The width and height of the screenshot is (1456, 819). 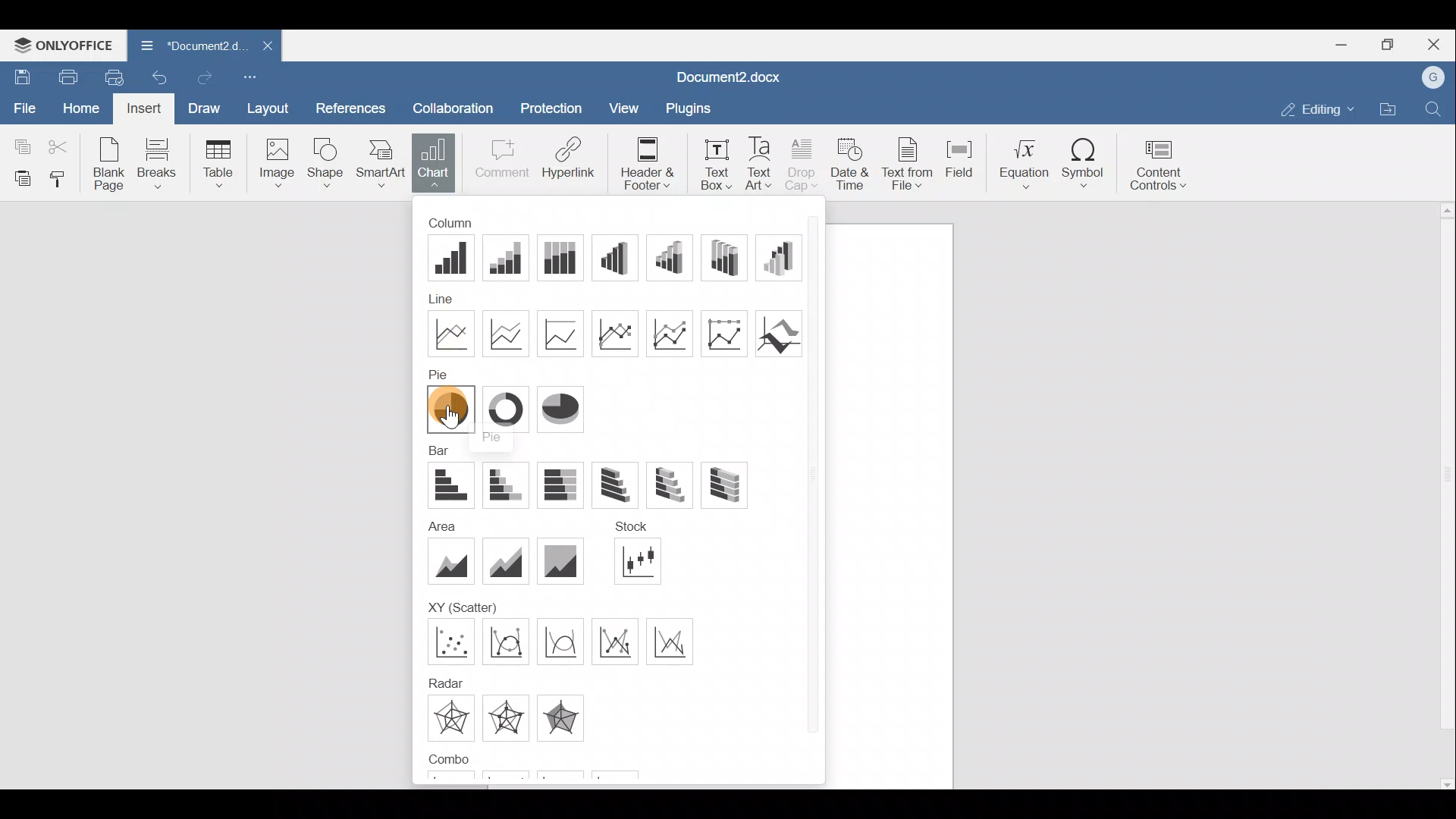 I want to click on Comment, so click(x=499, y=159).